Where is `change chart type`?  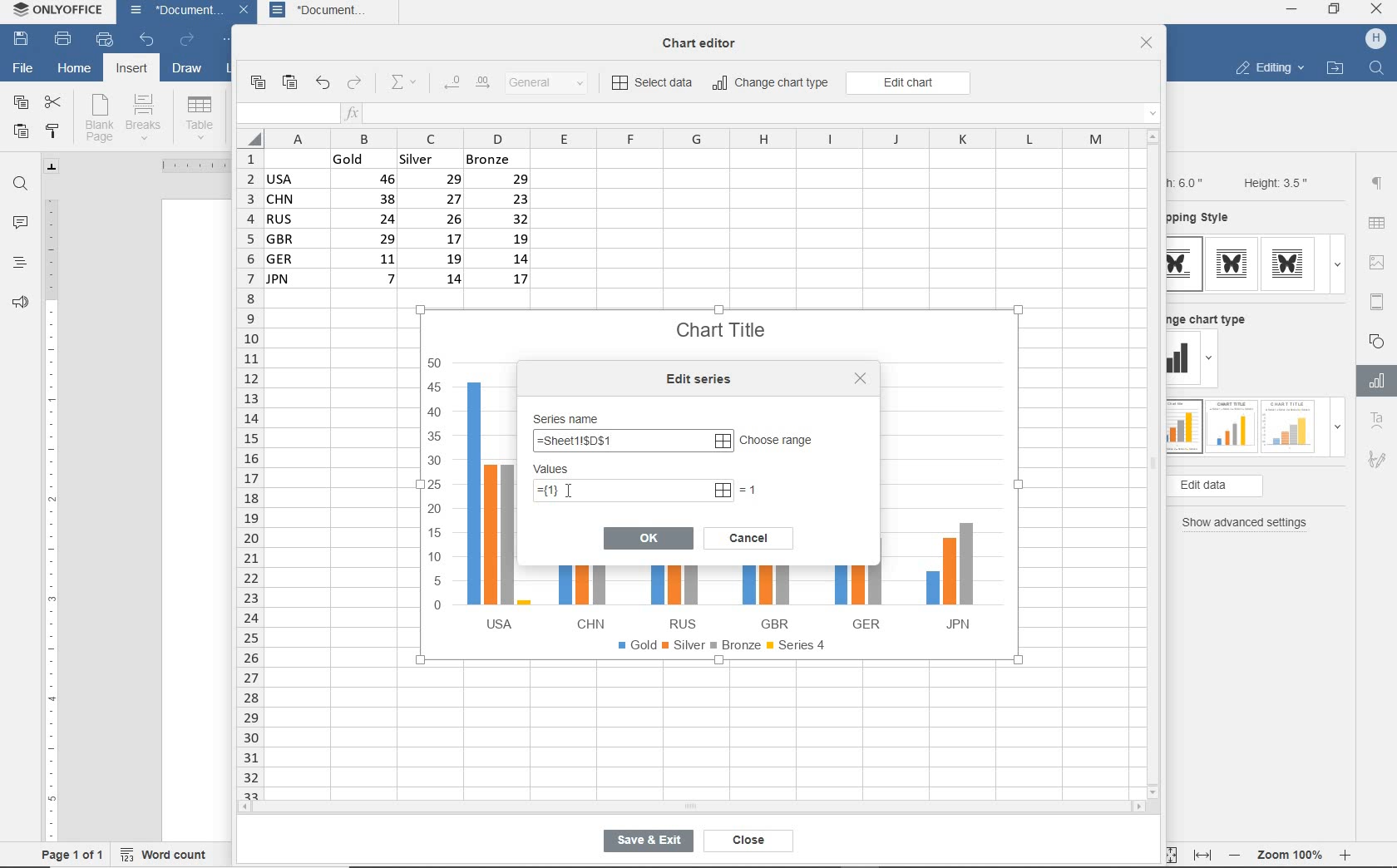 change chart type is located at coordinates (1213, 317).